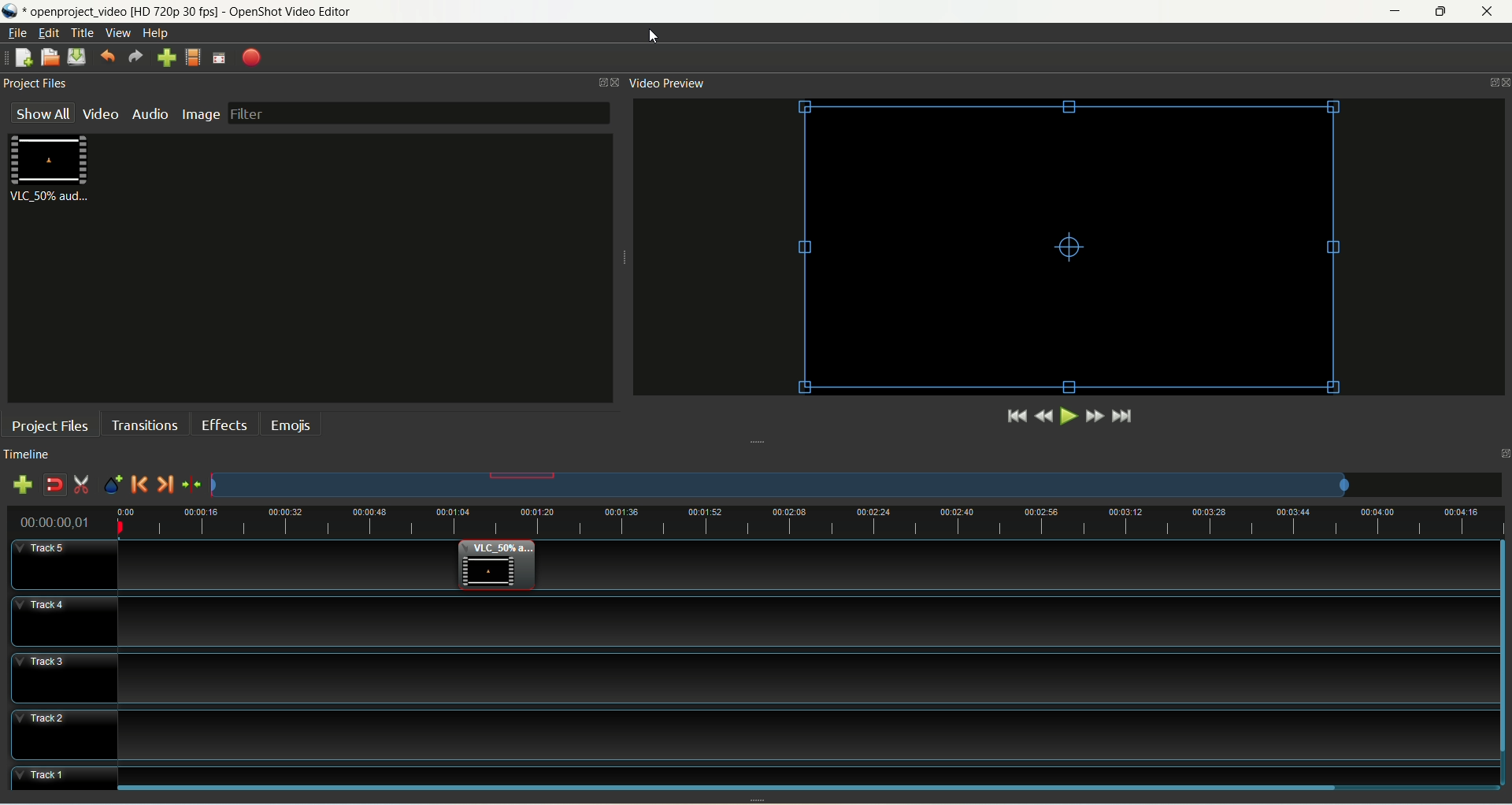 The width and height of the screenshot is (1512, 805). Describe the element at coordinates (77, 57) in the screenshot. I see `save project` at that location.